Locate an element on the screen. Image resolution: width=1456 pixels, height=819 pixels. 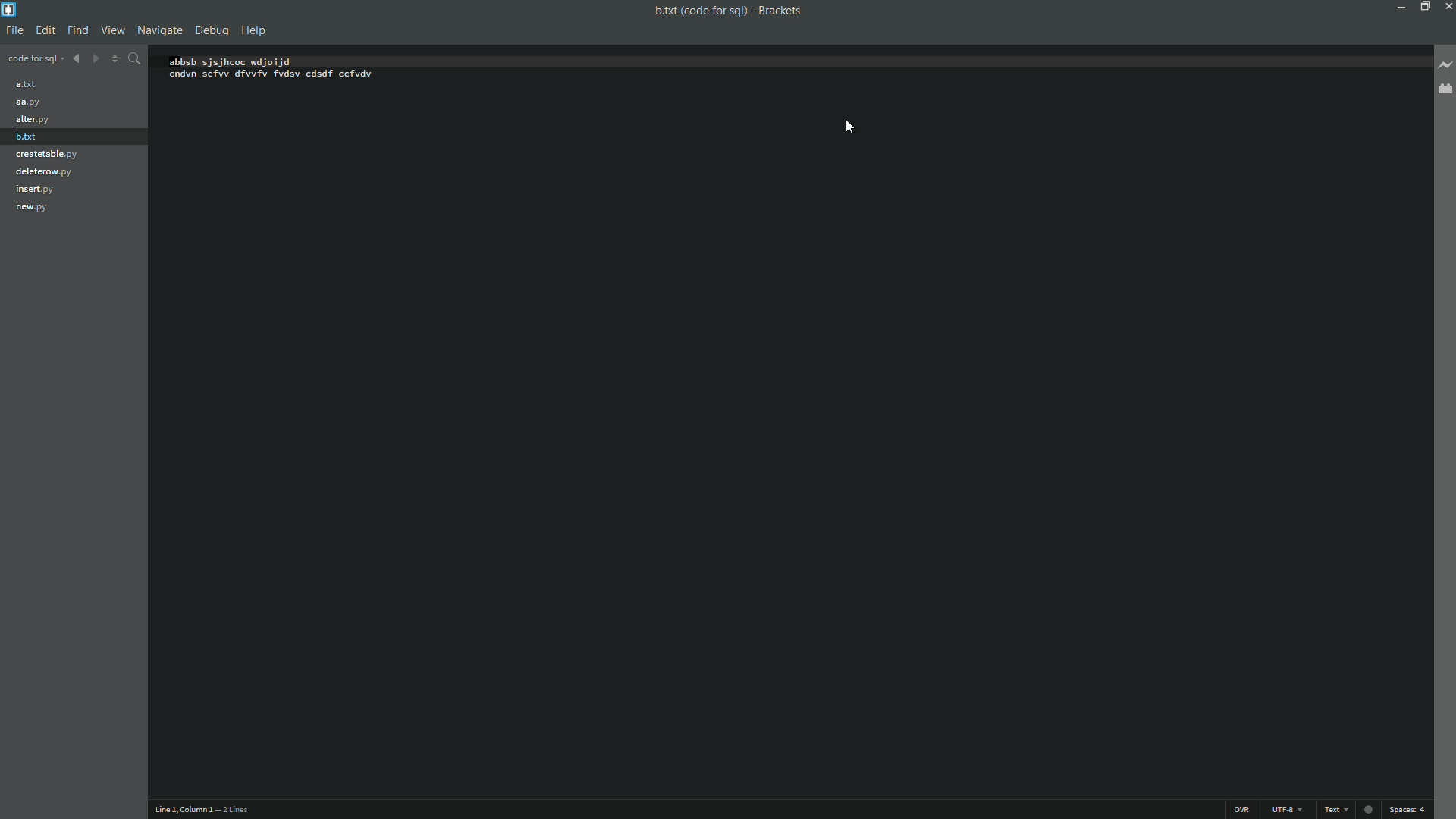
text is located at coordinates (1335, 809).